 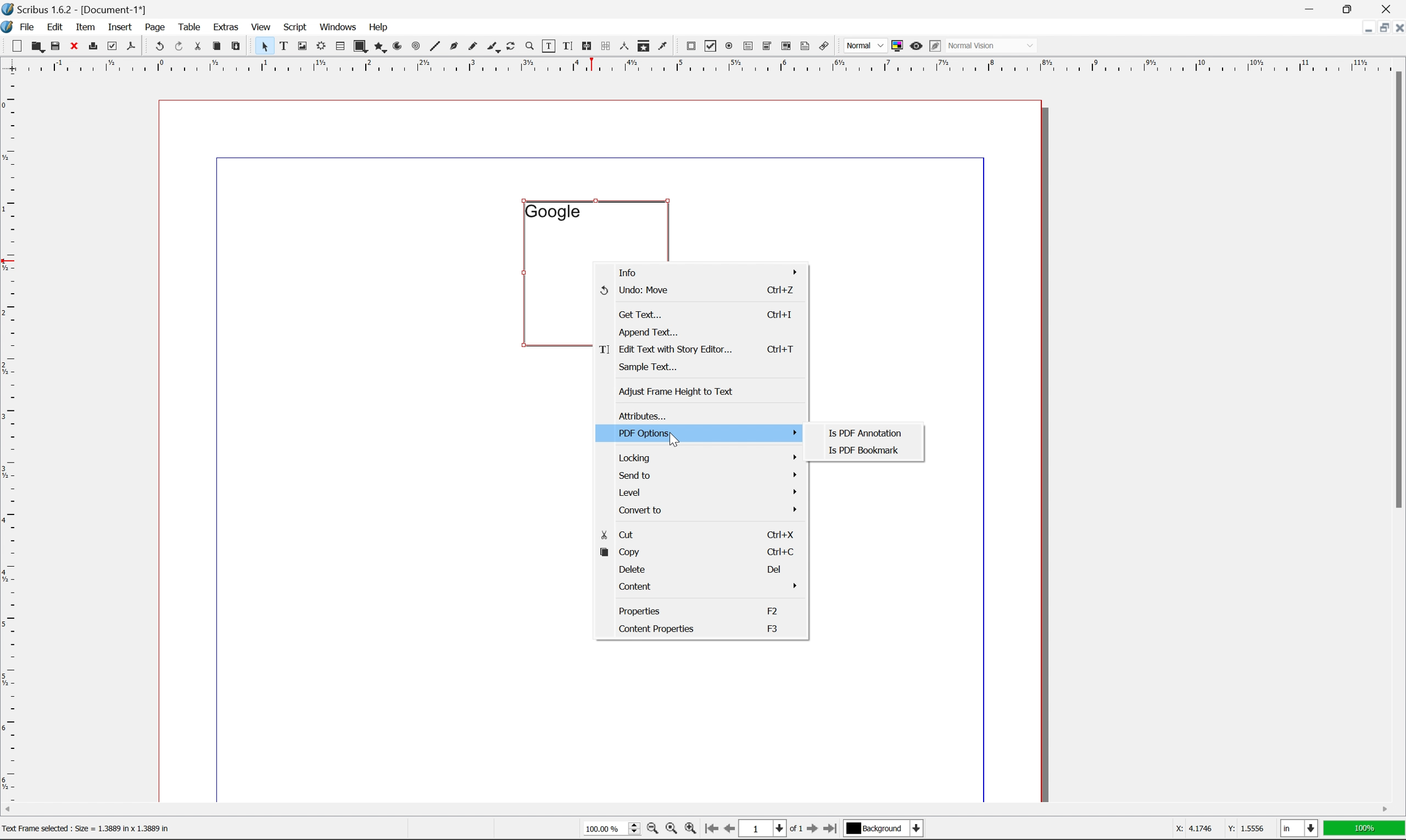 I want to click on render frame, so click(x=320, y=45).